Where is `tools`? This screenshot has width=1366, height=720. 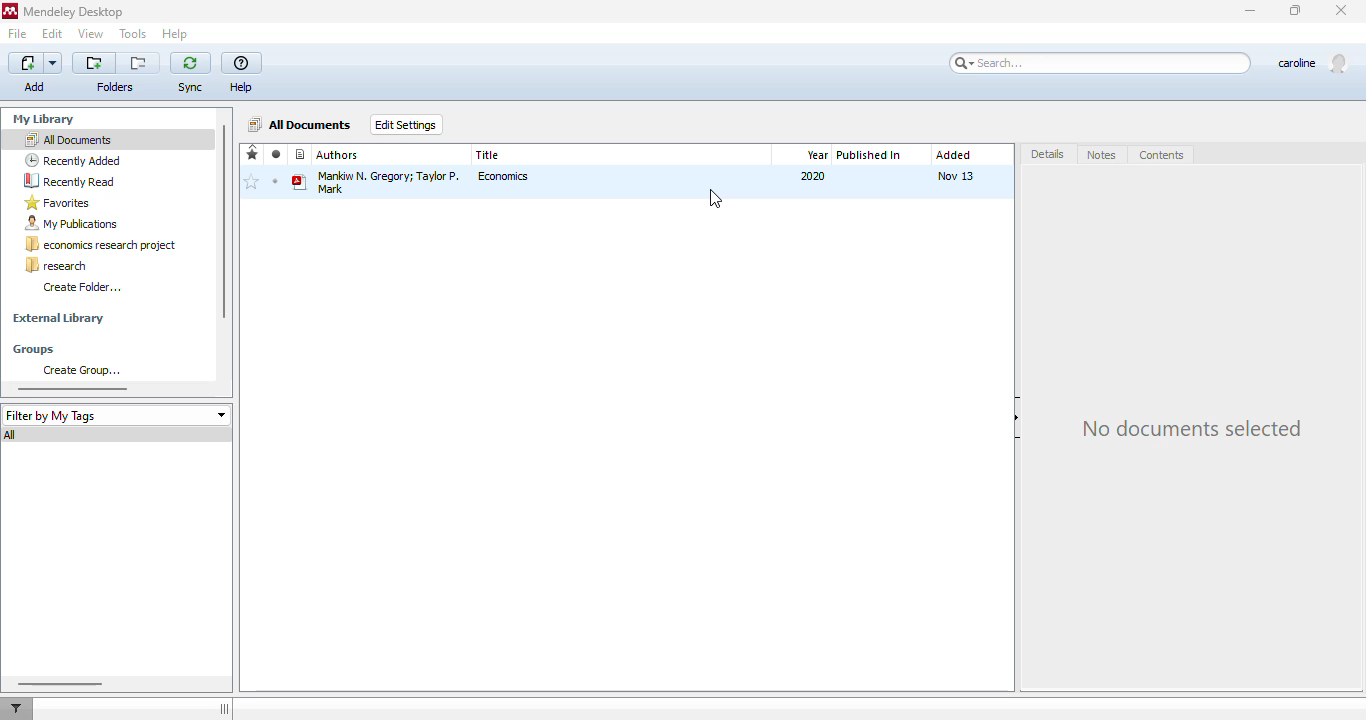
tools is located at coordinates (133, 34).